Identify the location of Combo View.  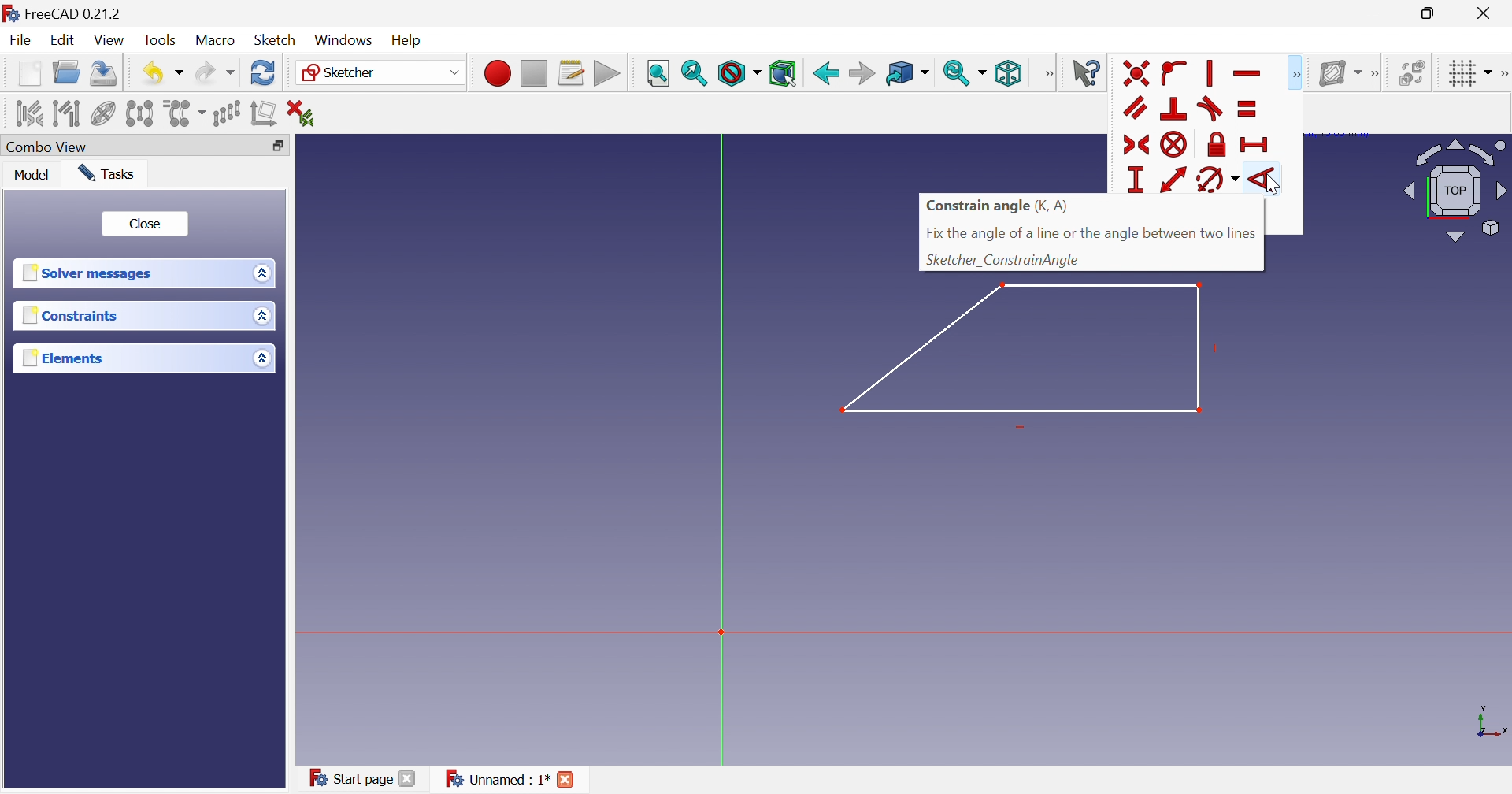
(50, 147).